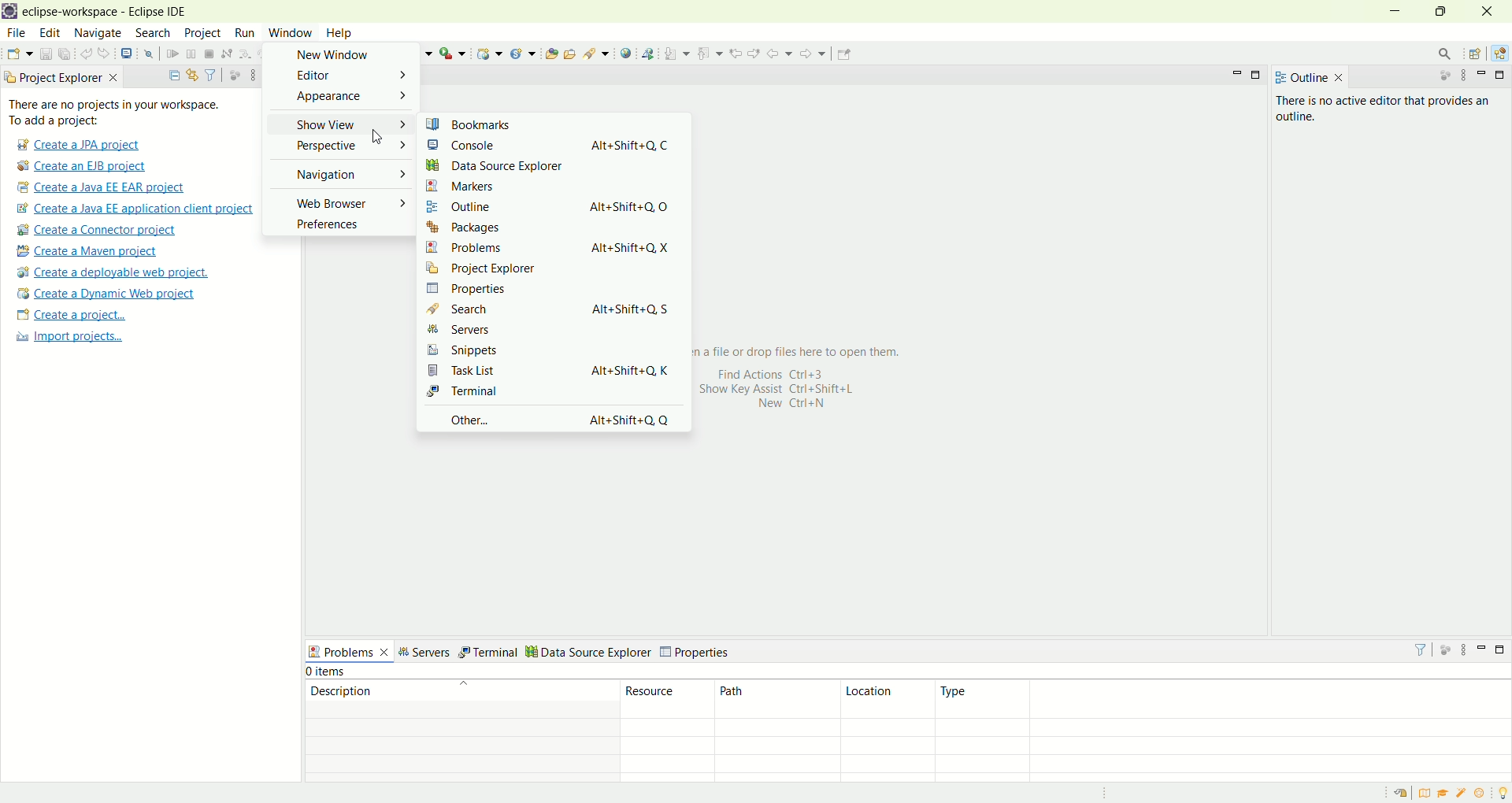 Image resolution: width=1512 pixels, height=803 pixels. What do you see at coordinates (102, 229) in the screenshot?
I see `create a connector project` at bounding box center [102, 229].